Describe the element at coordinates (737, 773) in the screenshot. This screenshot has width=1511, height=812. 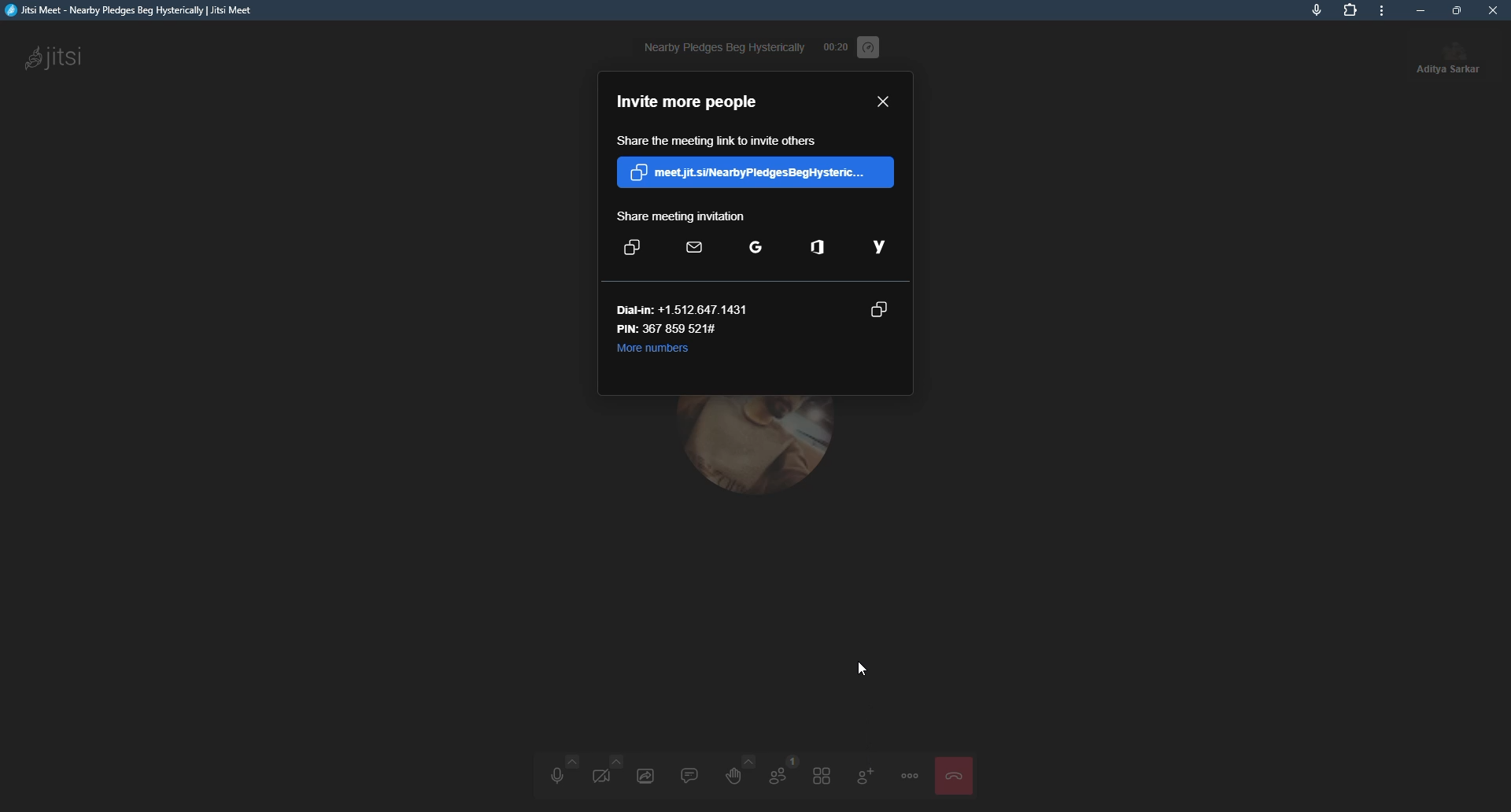
I see `raise hand` at that location.